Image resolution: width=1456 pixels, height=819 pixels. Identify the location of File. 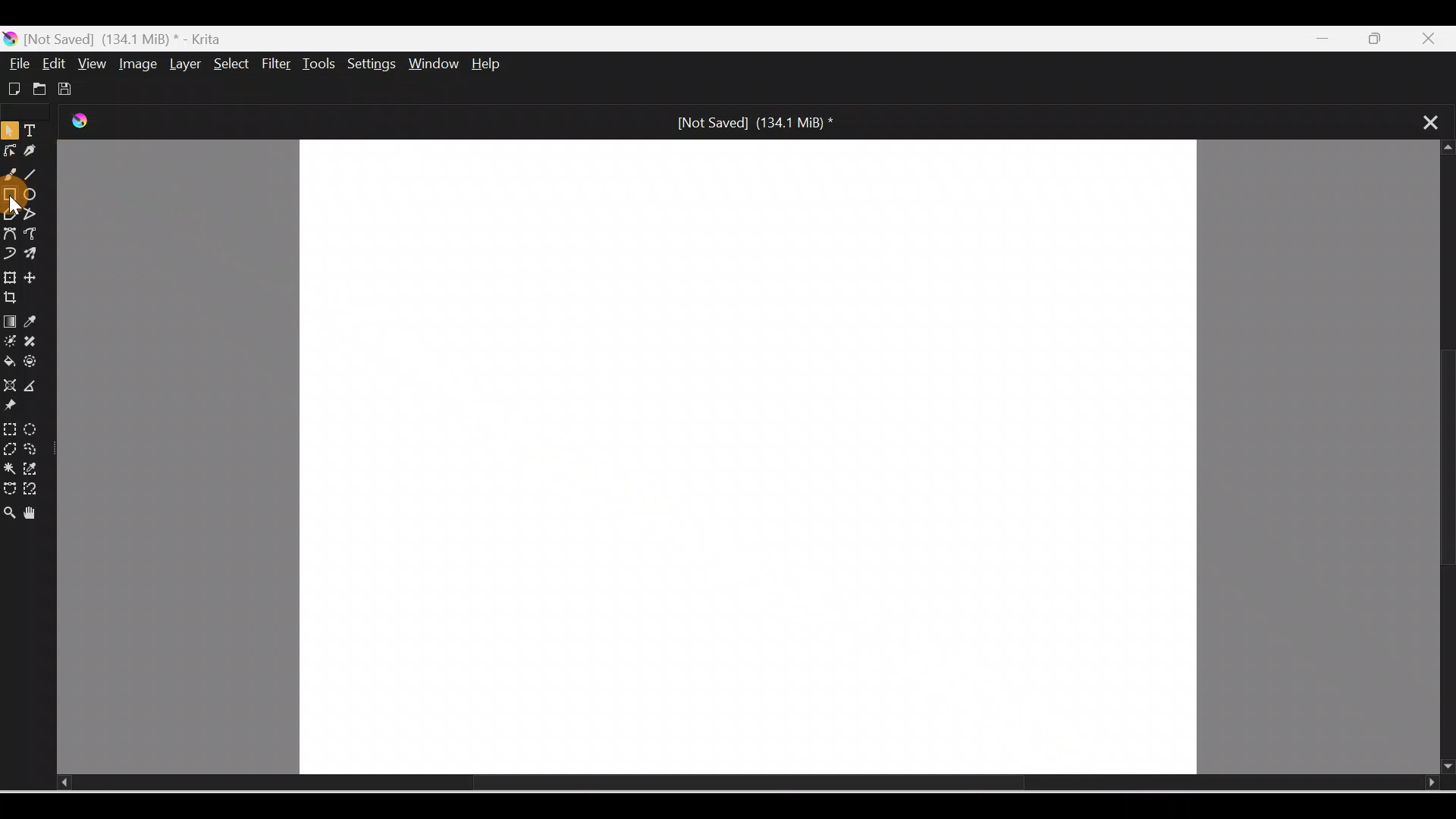
(20, 64).